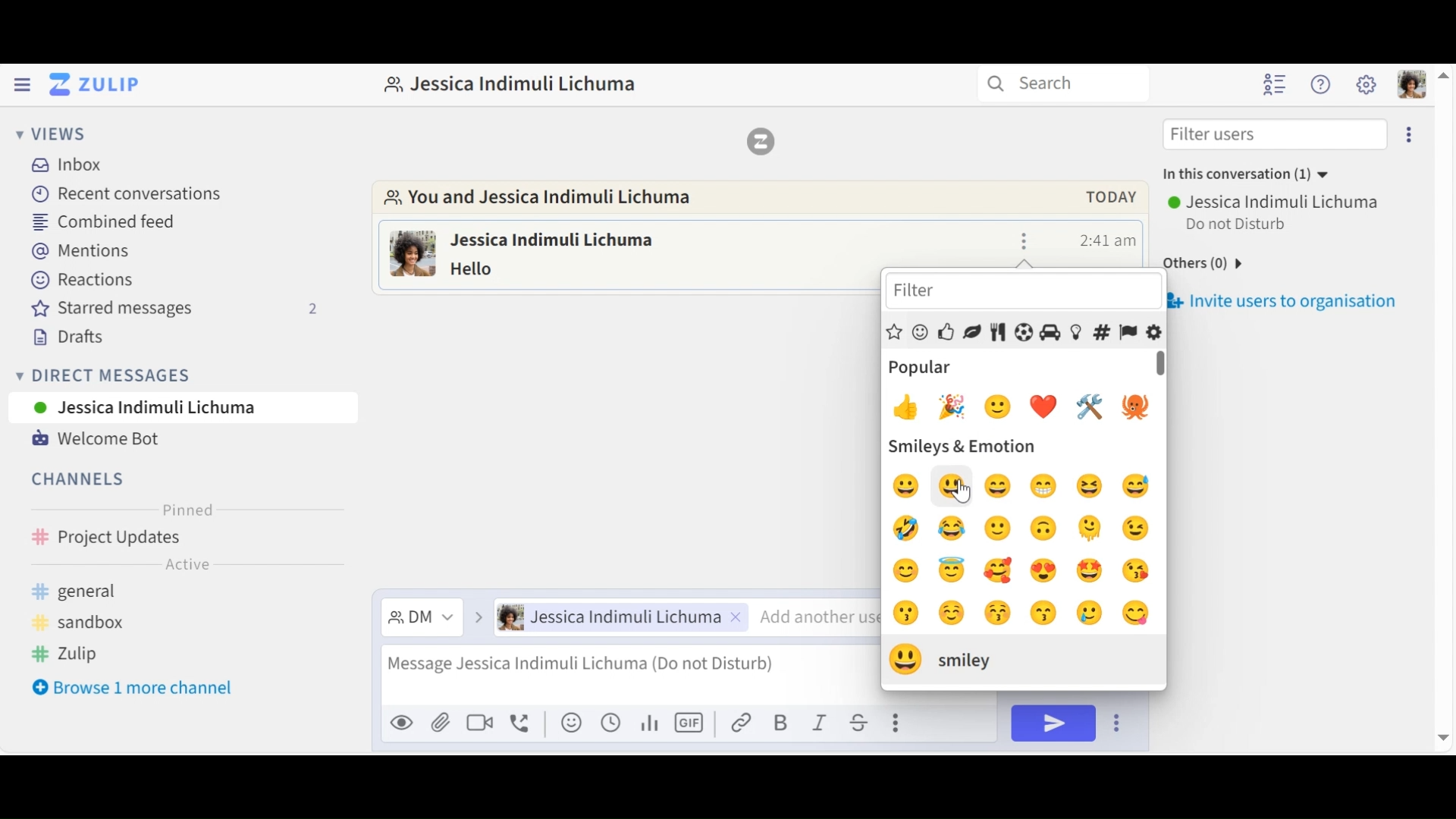  I want to click on zulip, so click(74, 655).